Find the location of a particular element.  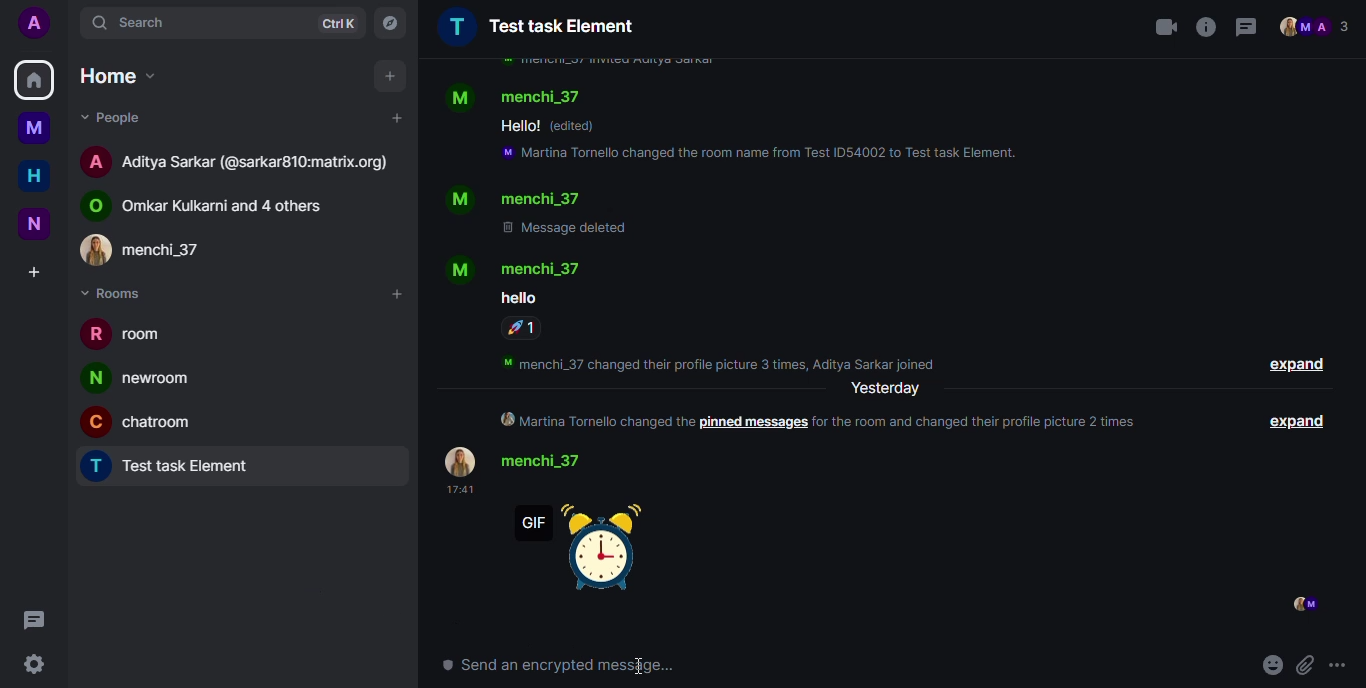

A Aditya Sarkar (@sarkar810:matrix.org) is located at coordinates (238, 161).